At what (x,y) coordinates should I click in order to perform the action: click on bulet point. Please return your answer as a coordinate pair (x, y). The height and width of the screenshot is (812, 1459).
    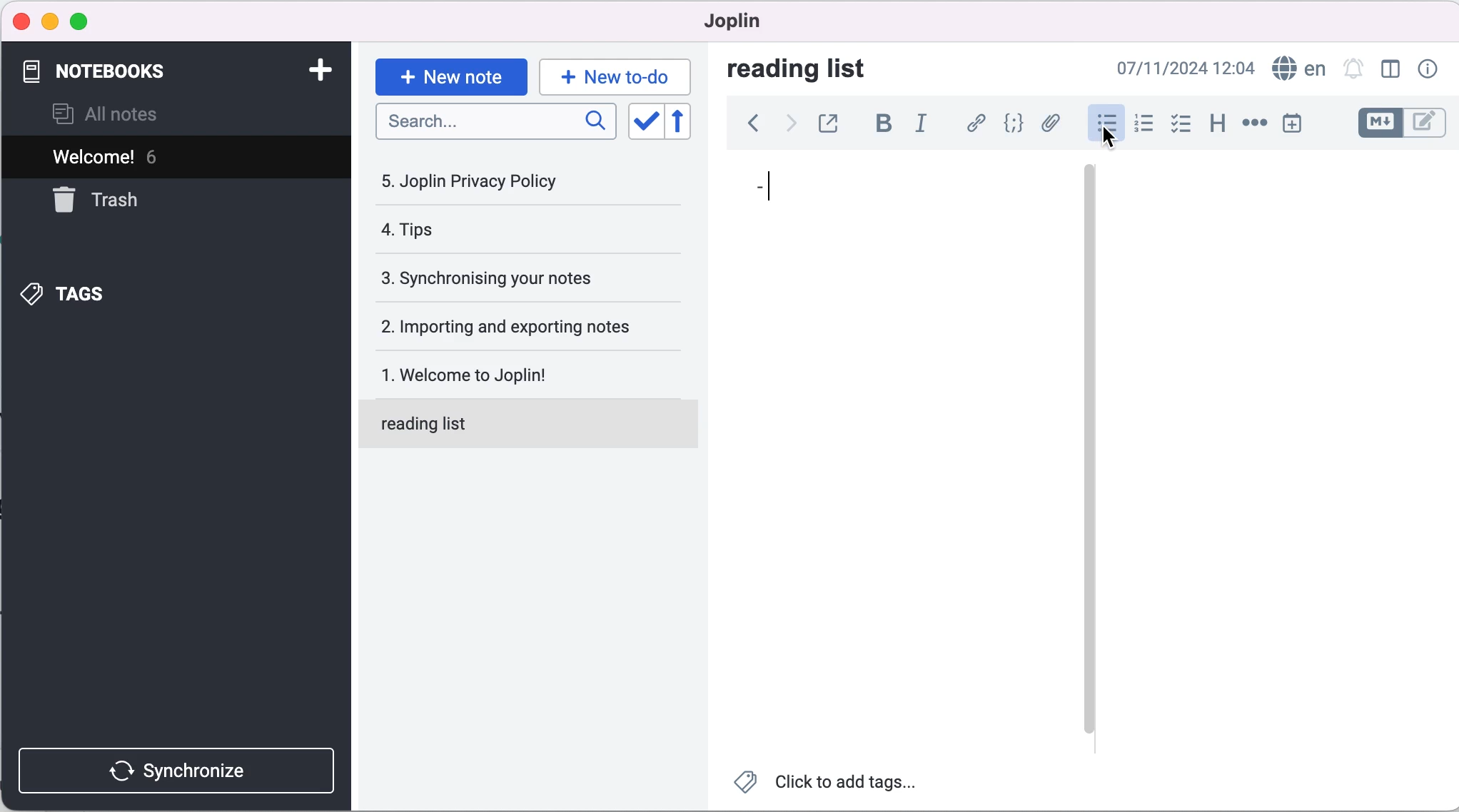
    Looking at the image, I should click on (757, 188).